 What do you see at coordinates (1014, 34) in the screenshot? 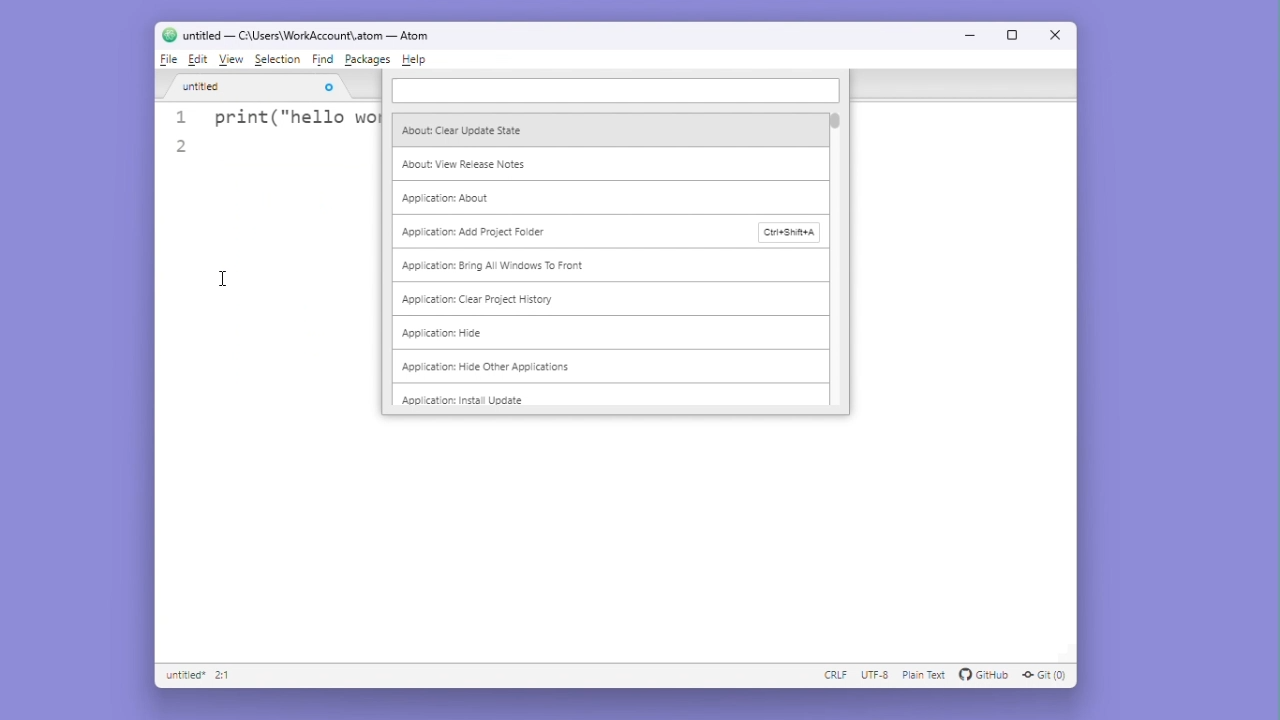
I see `Maximize` at bounding box center [1014, 34].